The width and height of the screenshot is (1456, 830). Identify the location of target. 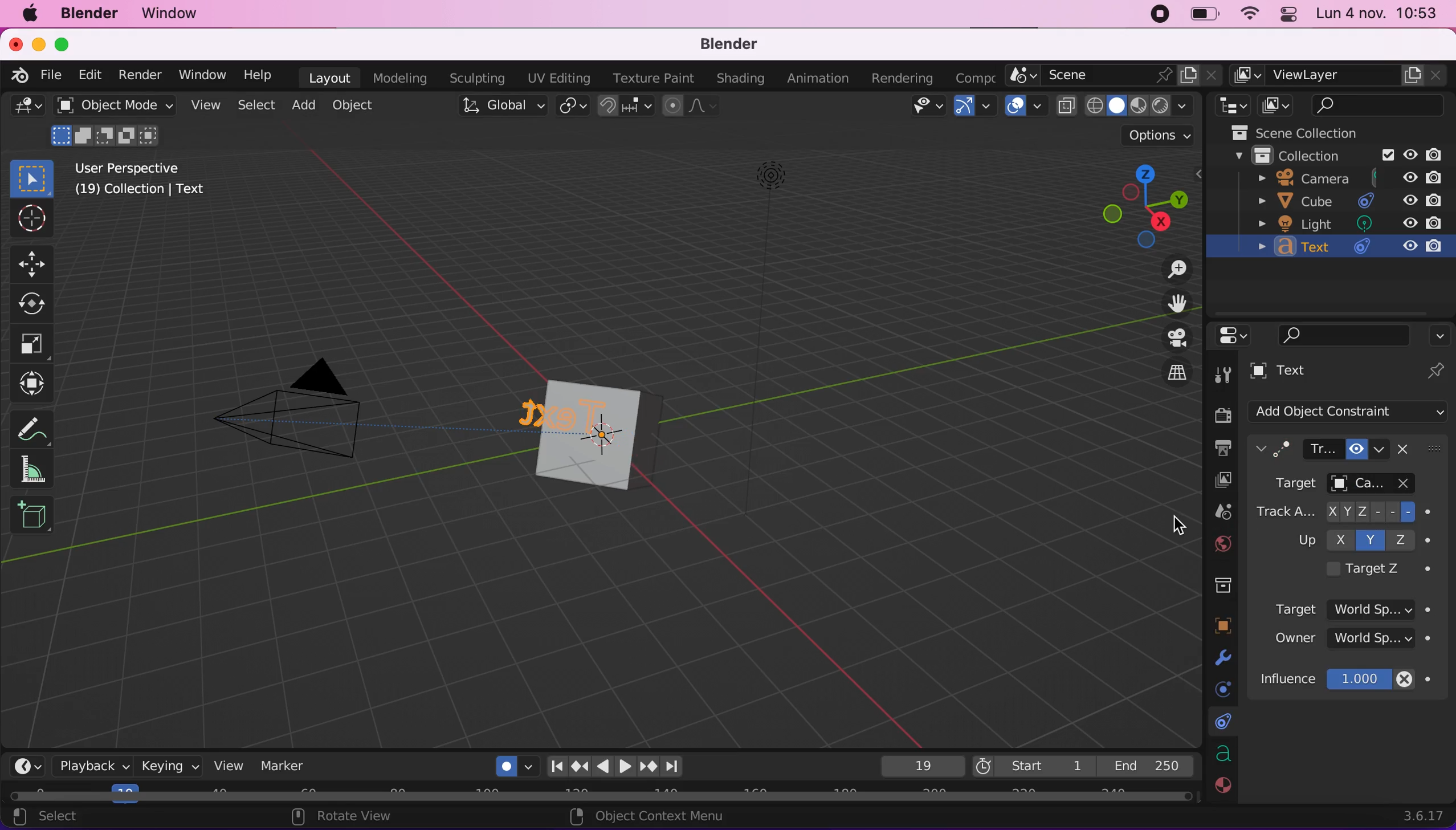
(1324, 486).